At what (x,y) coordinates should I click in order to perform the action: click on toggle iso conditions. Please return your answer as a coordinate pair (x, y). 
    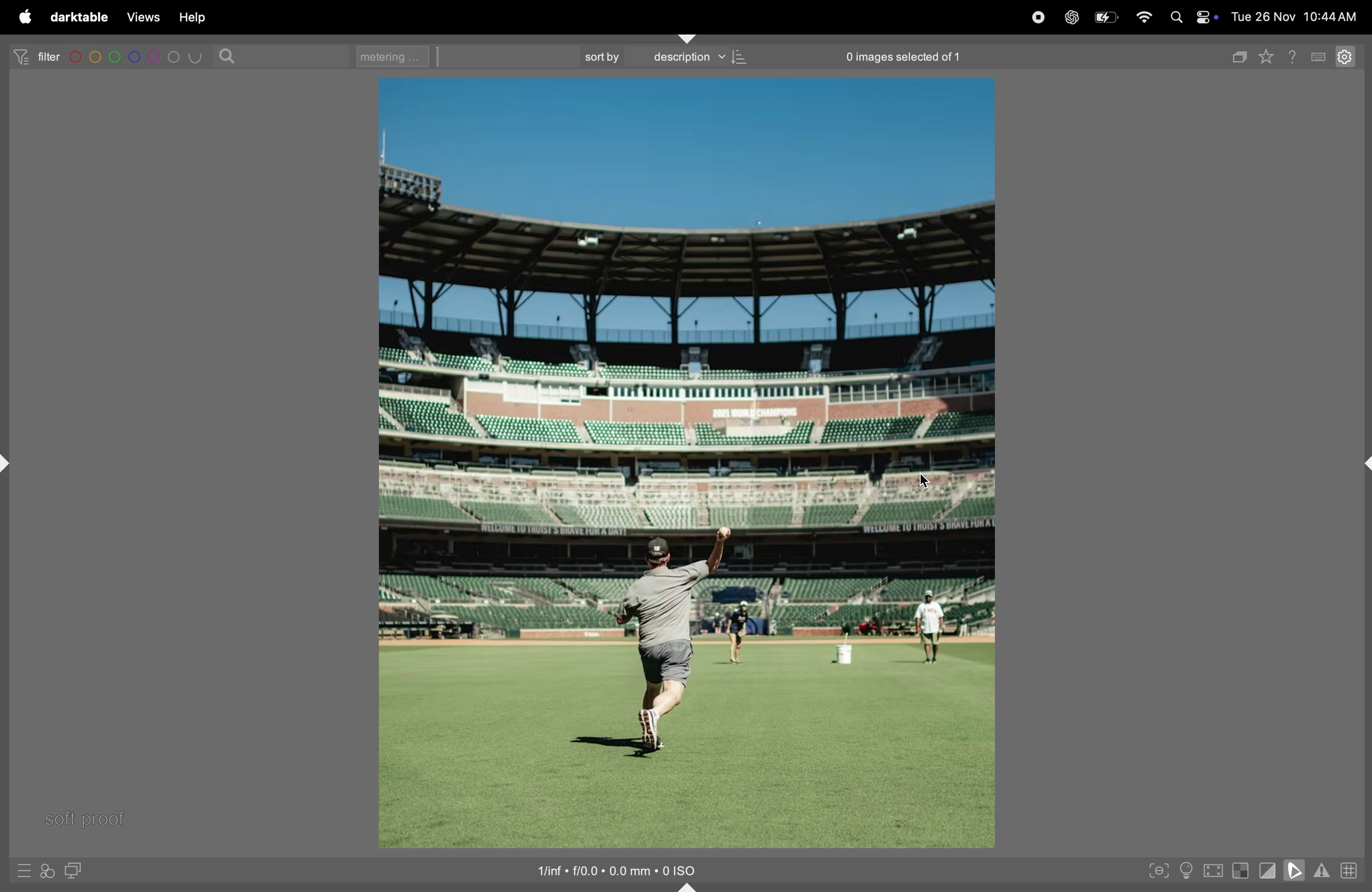
    Looking at the image, I should click on (1187, 869).